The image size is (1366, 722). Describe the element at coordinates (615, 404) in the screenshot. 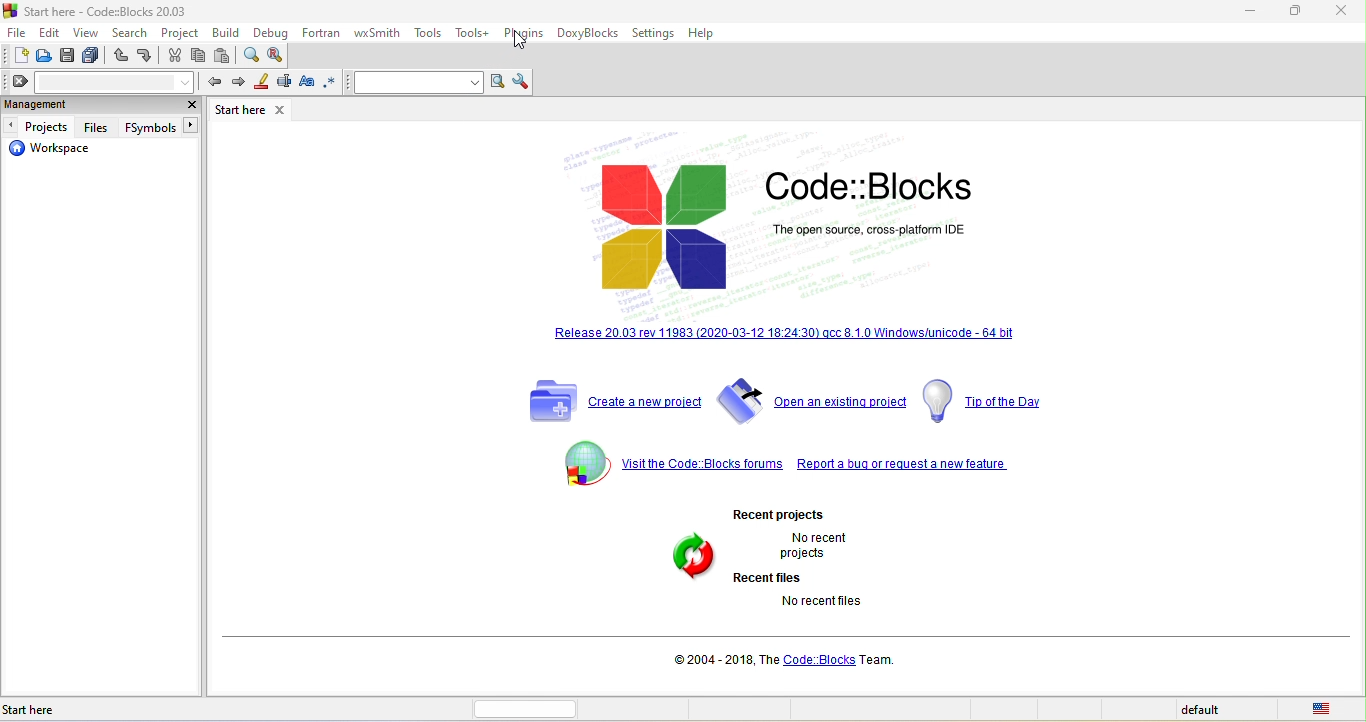

I see `create a new project` at that location.